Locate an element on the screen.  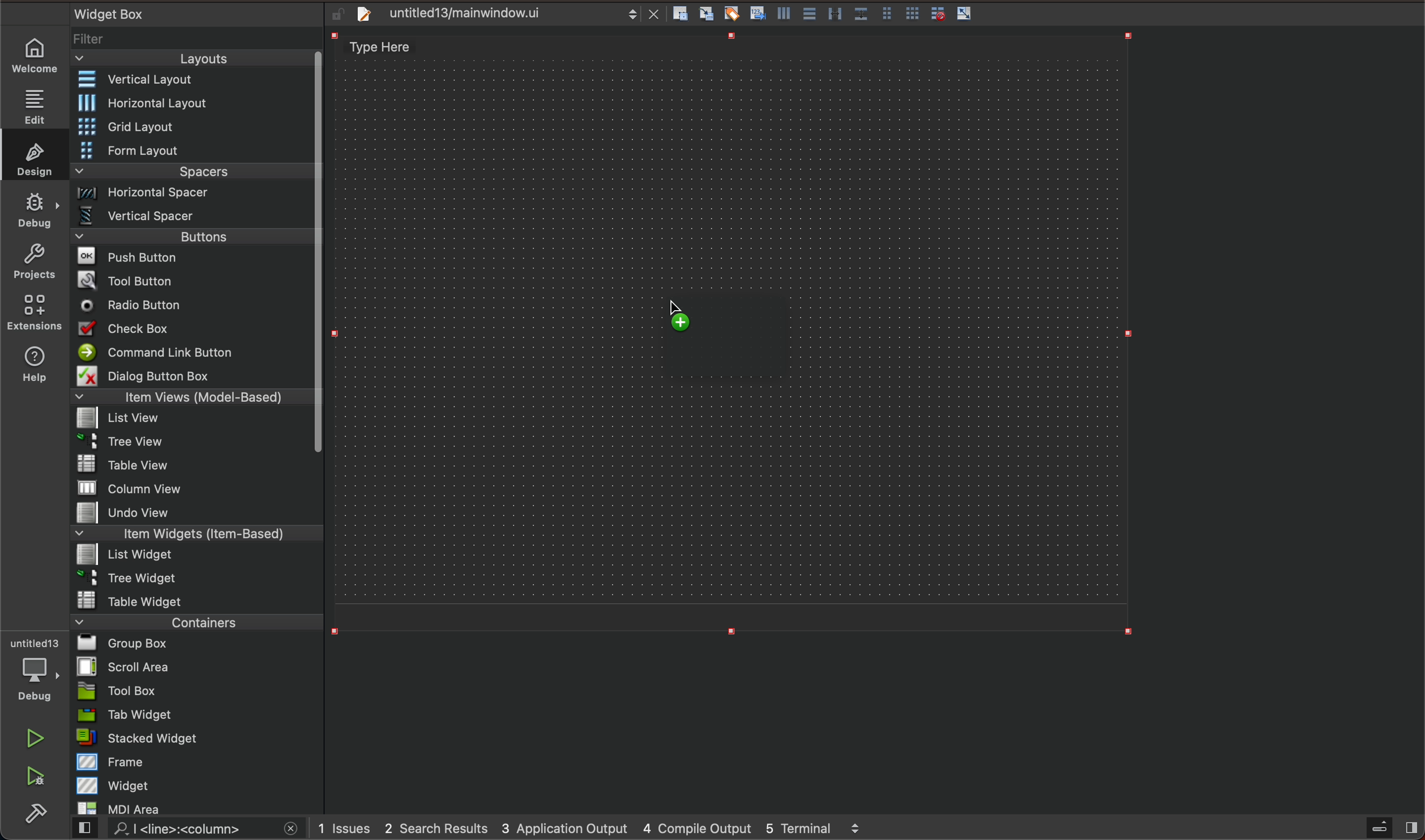
debug is located at coordinates (32, 671).